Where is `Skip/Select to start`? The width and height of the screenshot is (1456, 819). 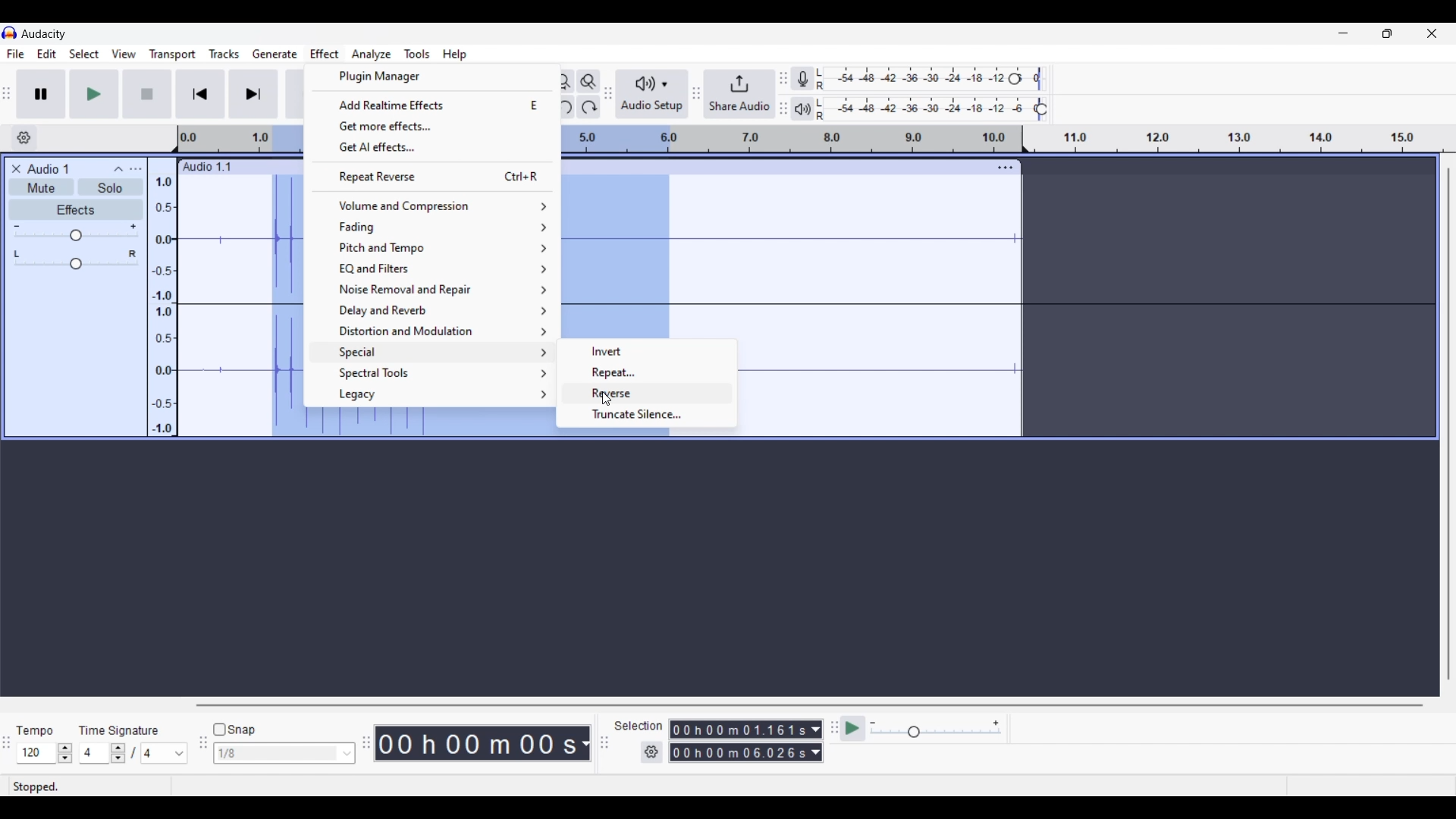 Skip/Select to start is located at coordinates (201, 93).